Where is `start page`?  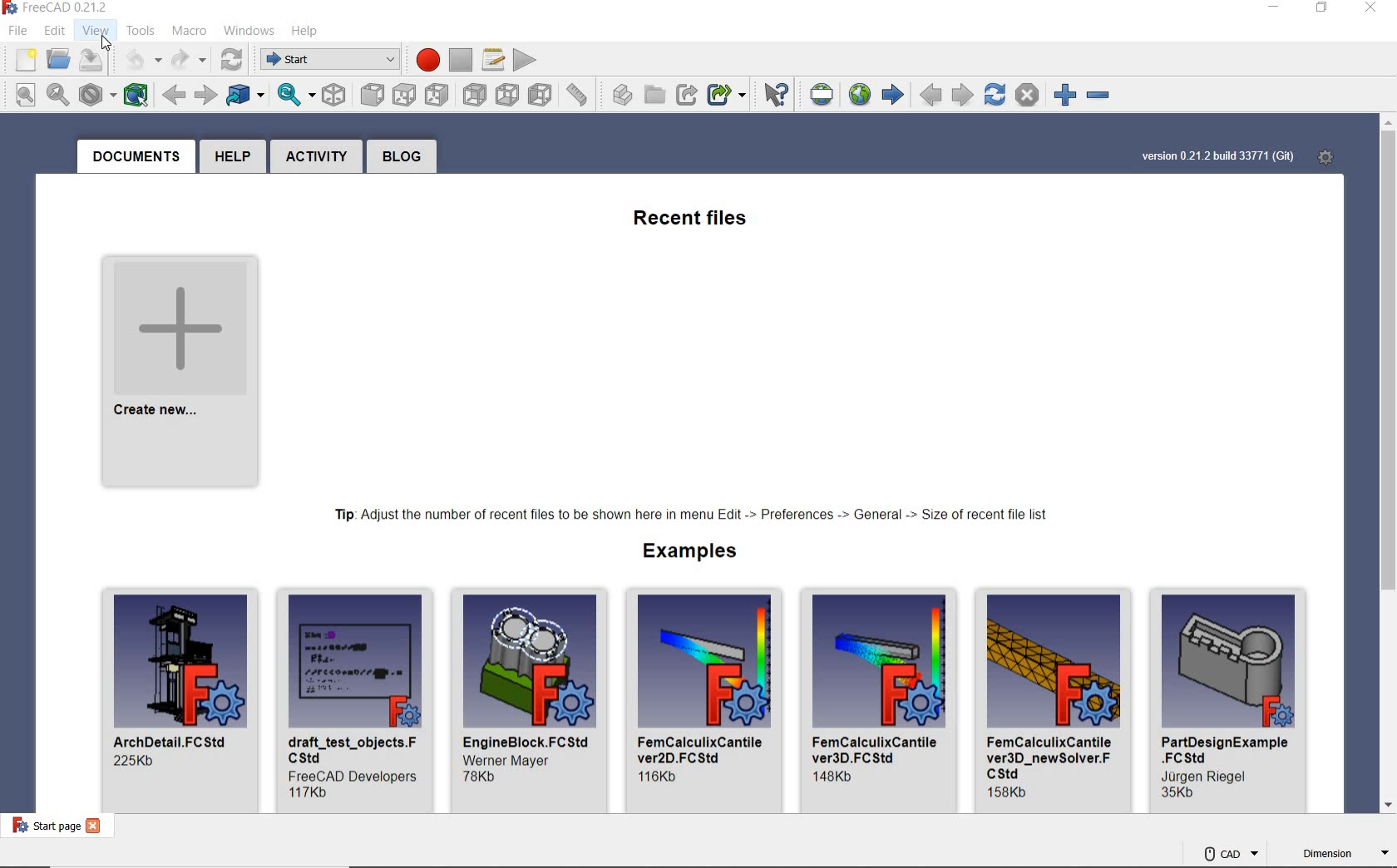
start page is located at coordinates (893, 95).